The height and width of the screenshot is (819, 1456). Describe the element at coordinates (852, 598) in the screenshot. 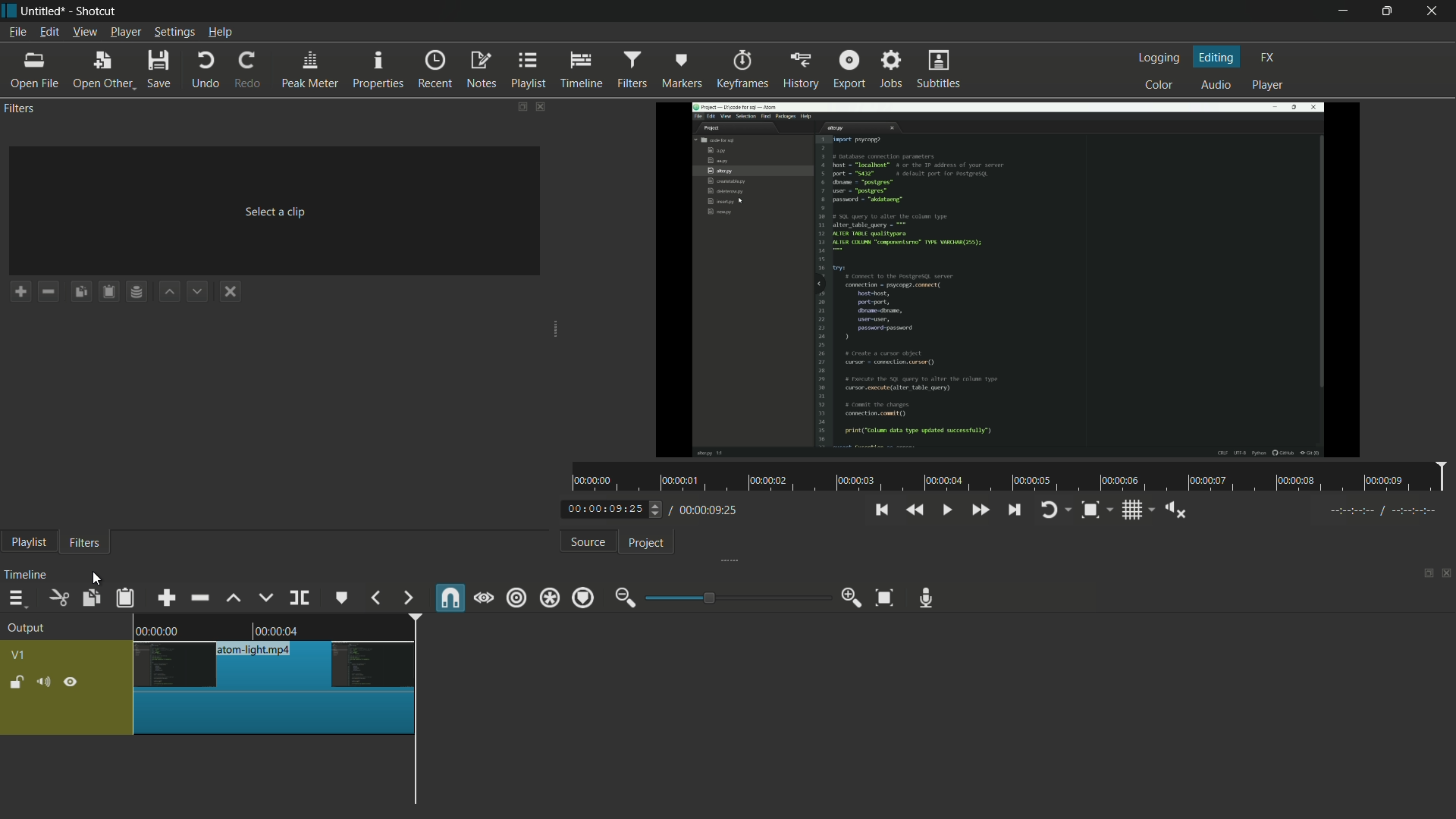

I see `zoom in` at that location.